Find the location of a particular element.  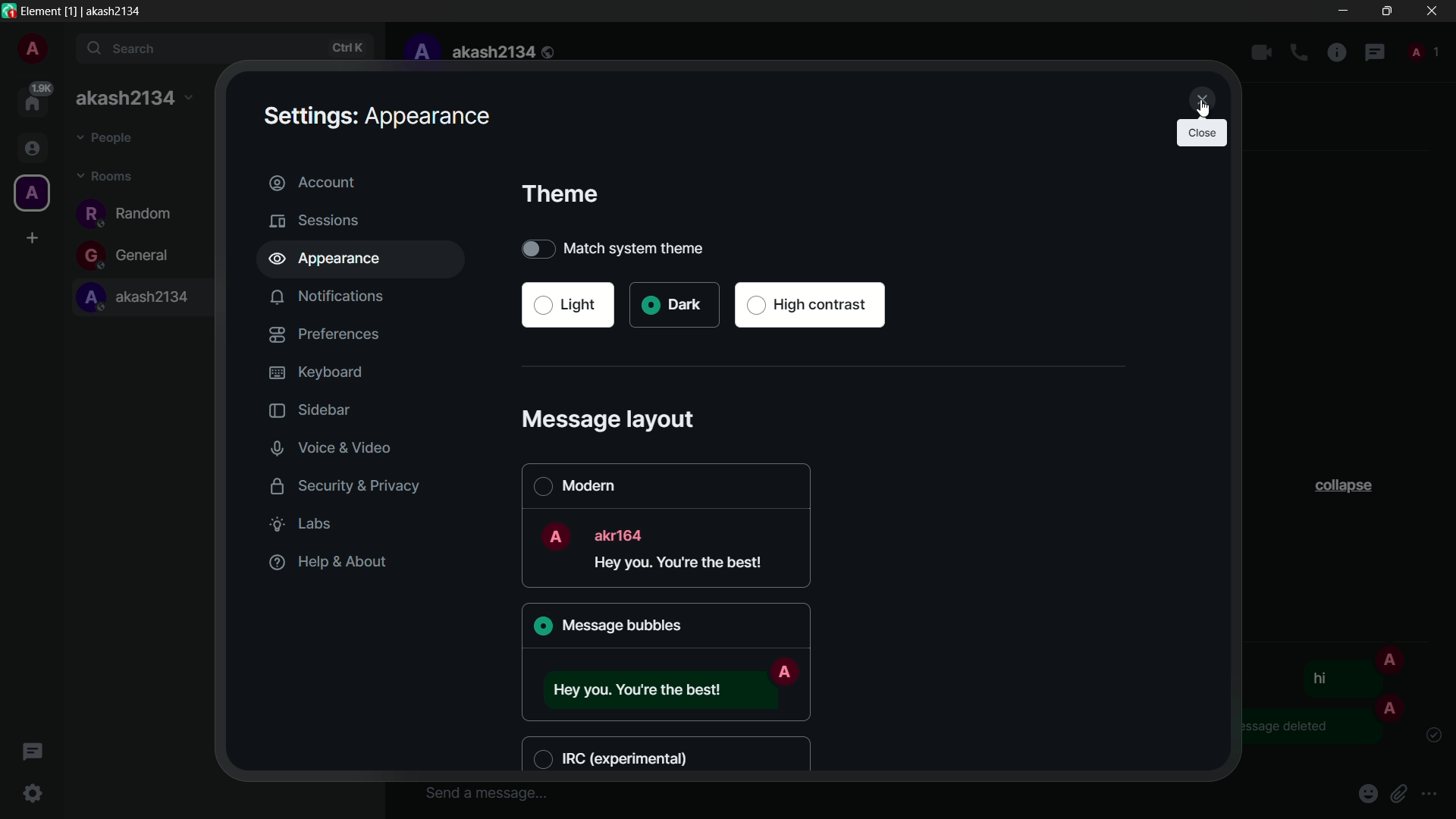

sessions is located at coordinates (315, 220).